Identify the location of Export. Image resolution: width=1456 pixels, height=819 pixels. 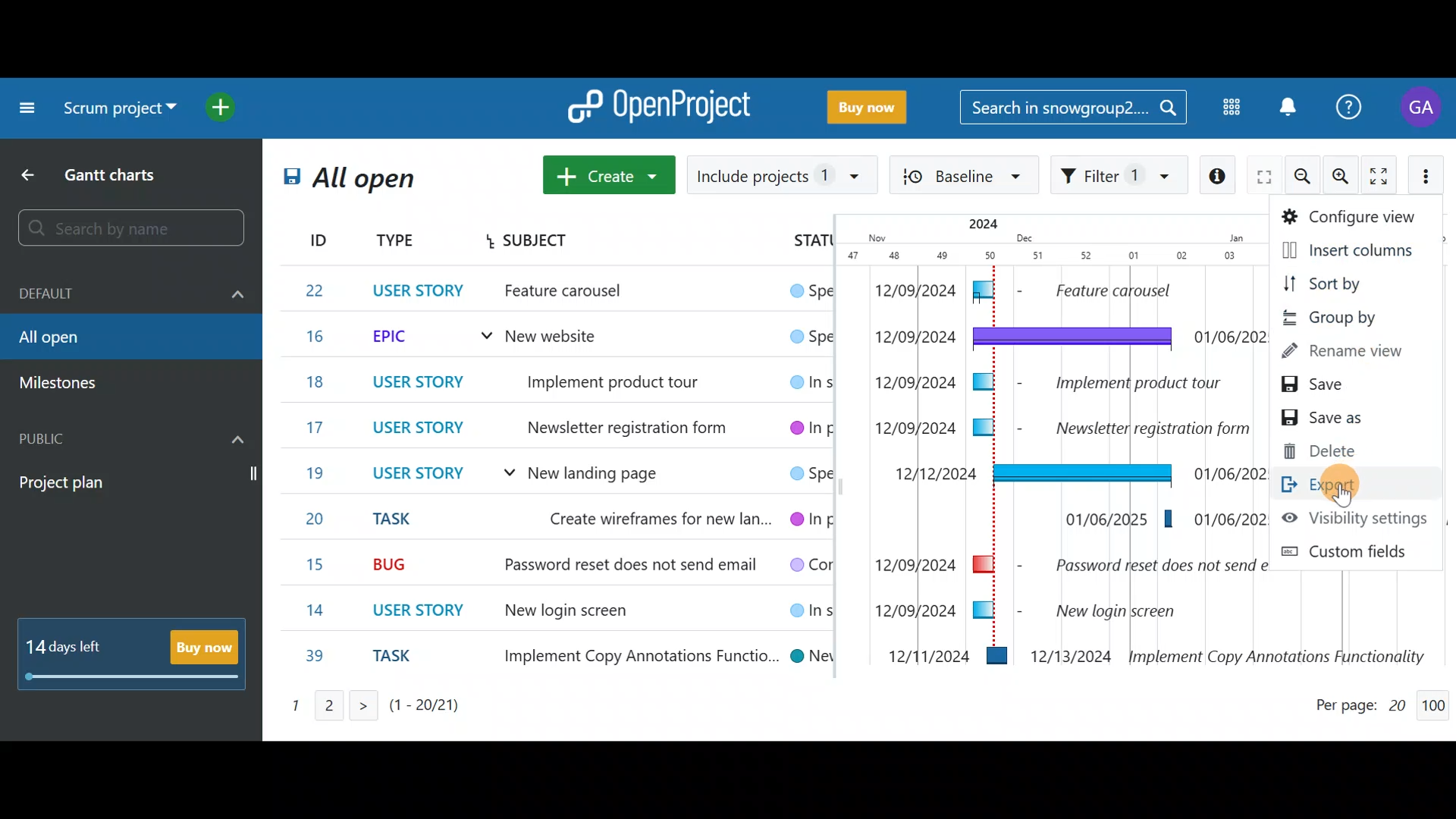
(1341, 482).